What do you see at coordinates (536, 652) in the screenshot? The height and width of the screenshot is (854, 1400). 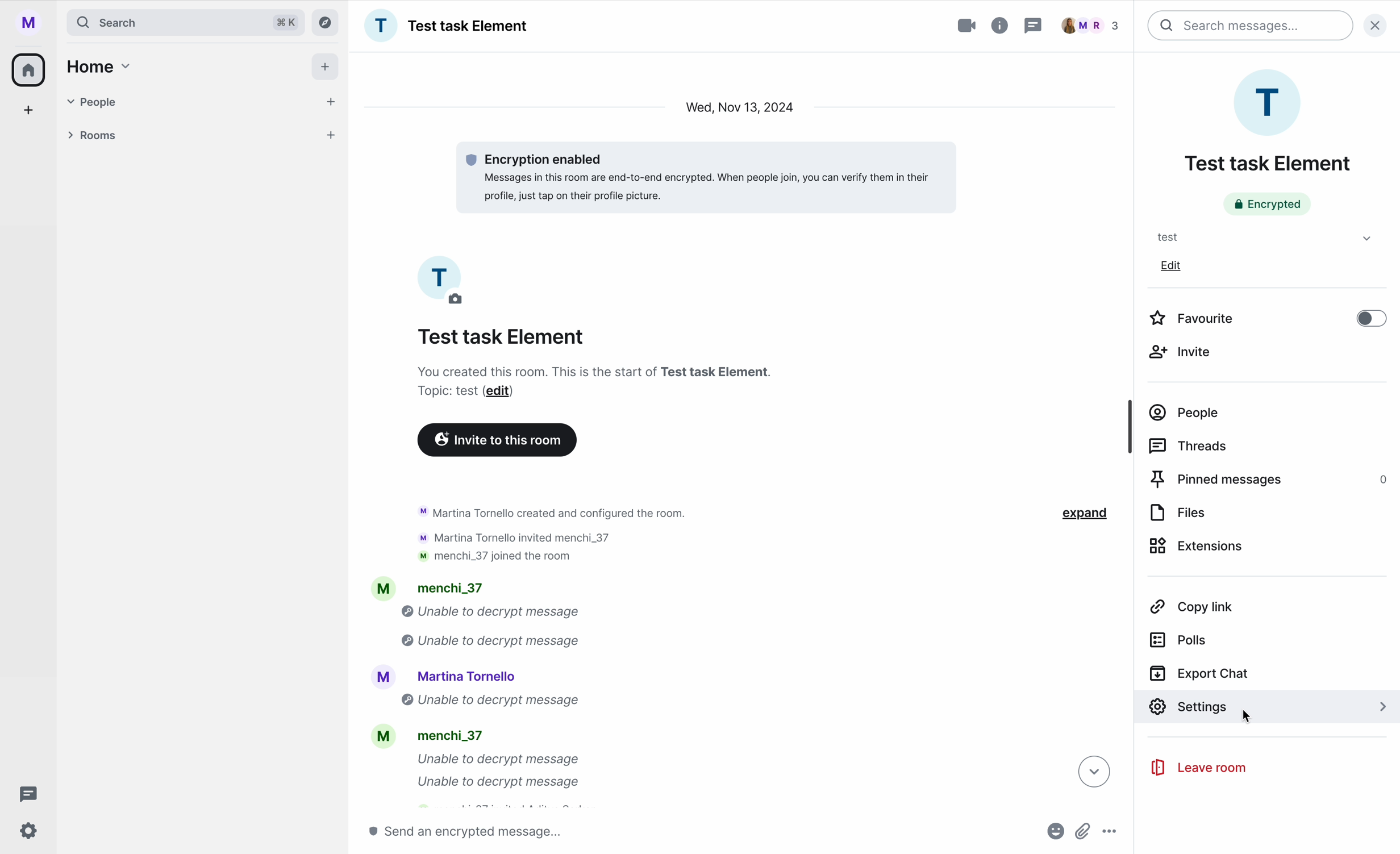 I see `activity chat` at bounding box center [536, 652].